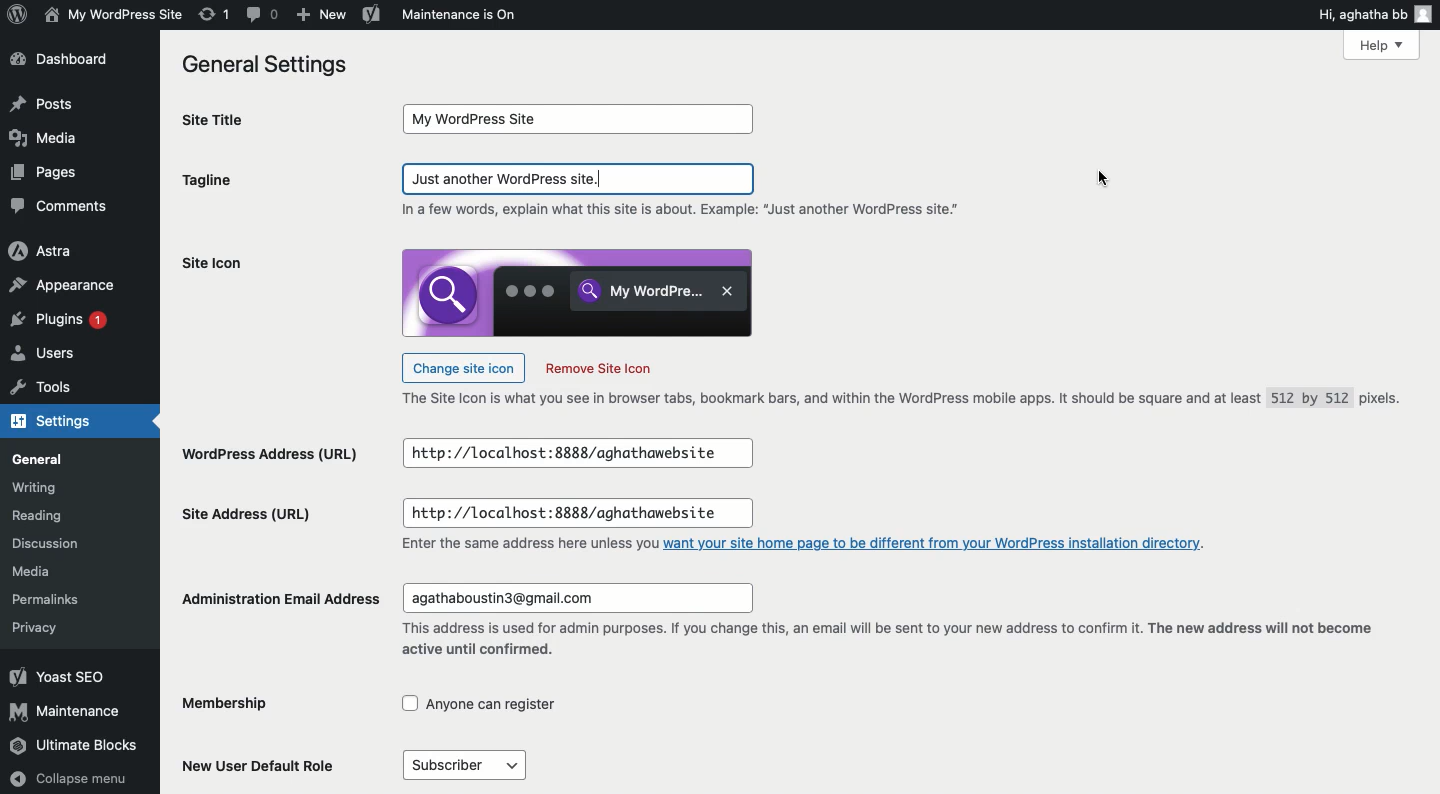  What do you see at coordinates (527, 545) in the screenshot?
I see `text` at bounding box center [527, 545].